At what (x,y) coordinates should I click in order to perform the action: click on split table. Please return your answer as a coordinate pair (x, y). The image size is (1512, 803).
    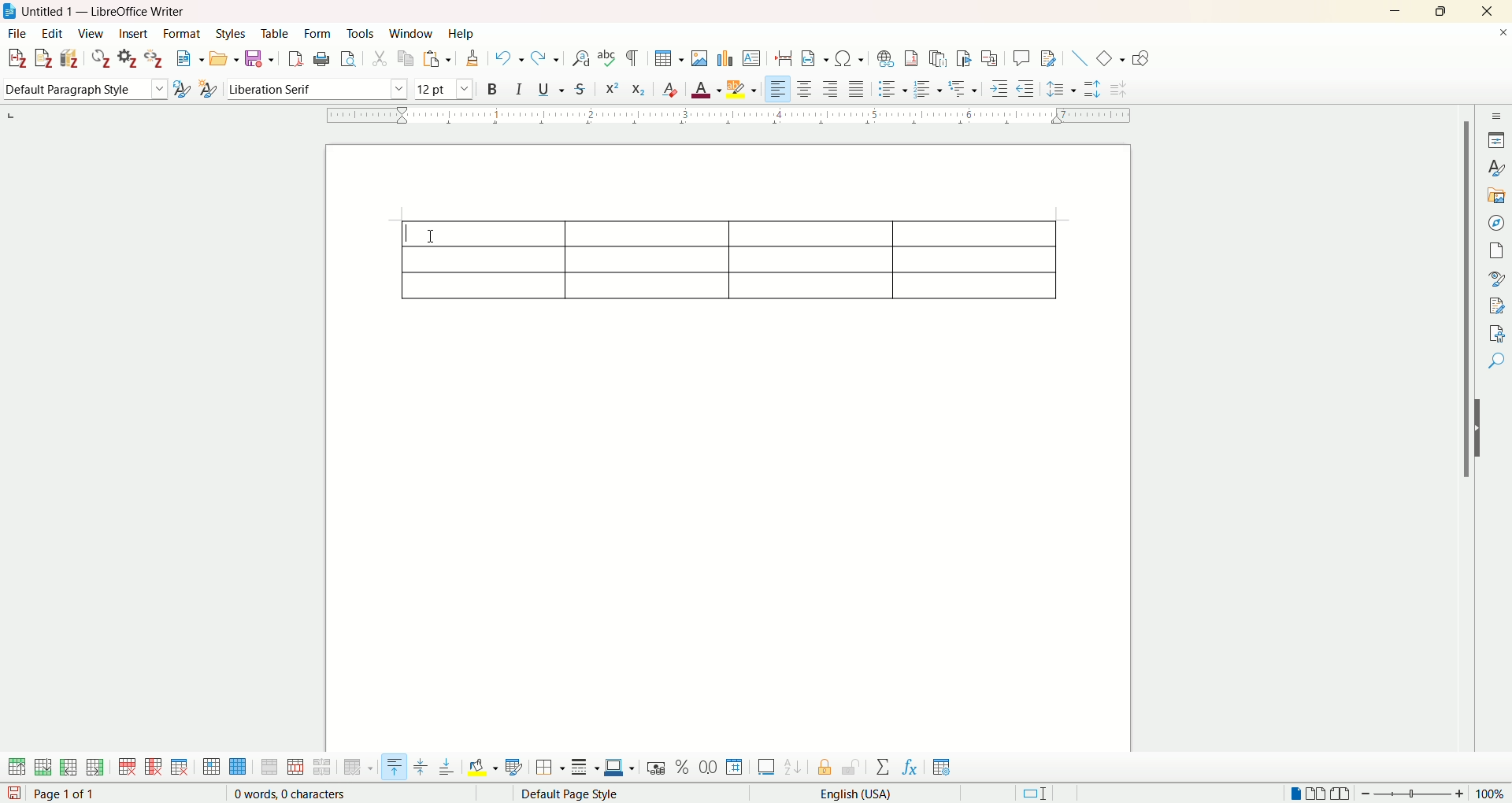
    Looking at the image, I should click on (322, 768).